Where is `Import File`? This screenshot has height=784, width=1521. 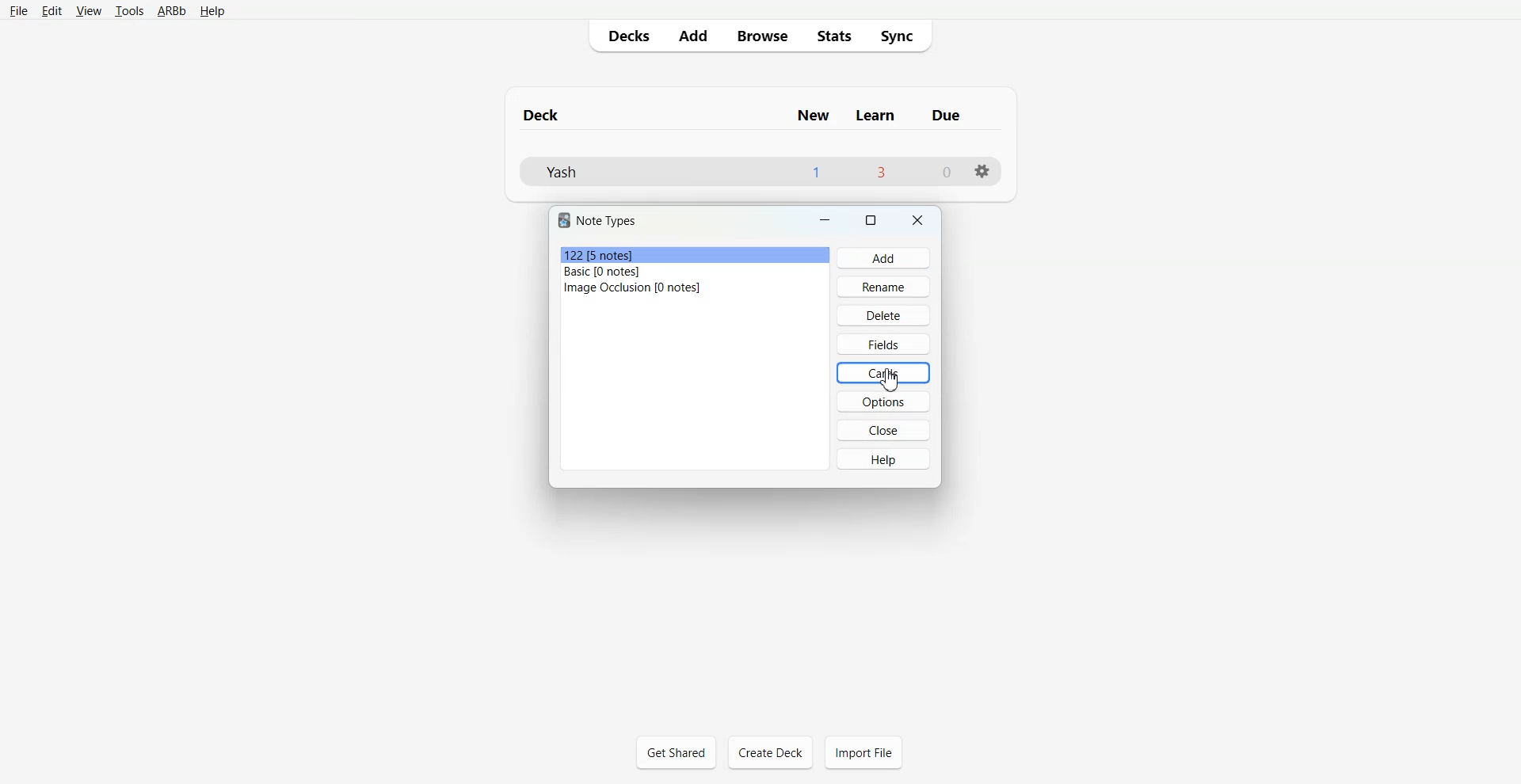
Import File is located at coordinates (863, 752).